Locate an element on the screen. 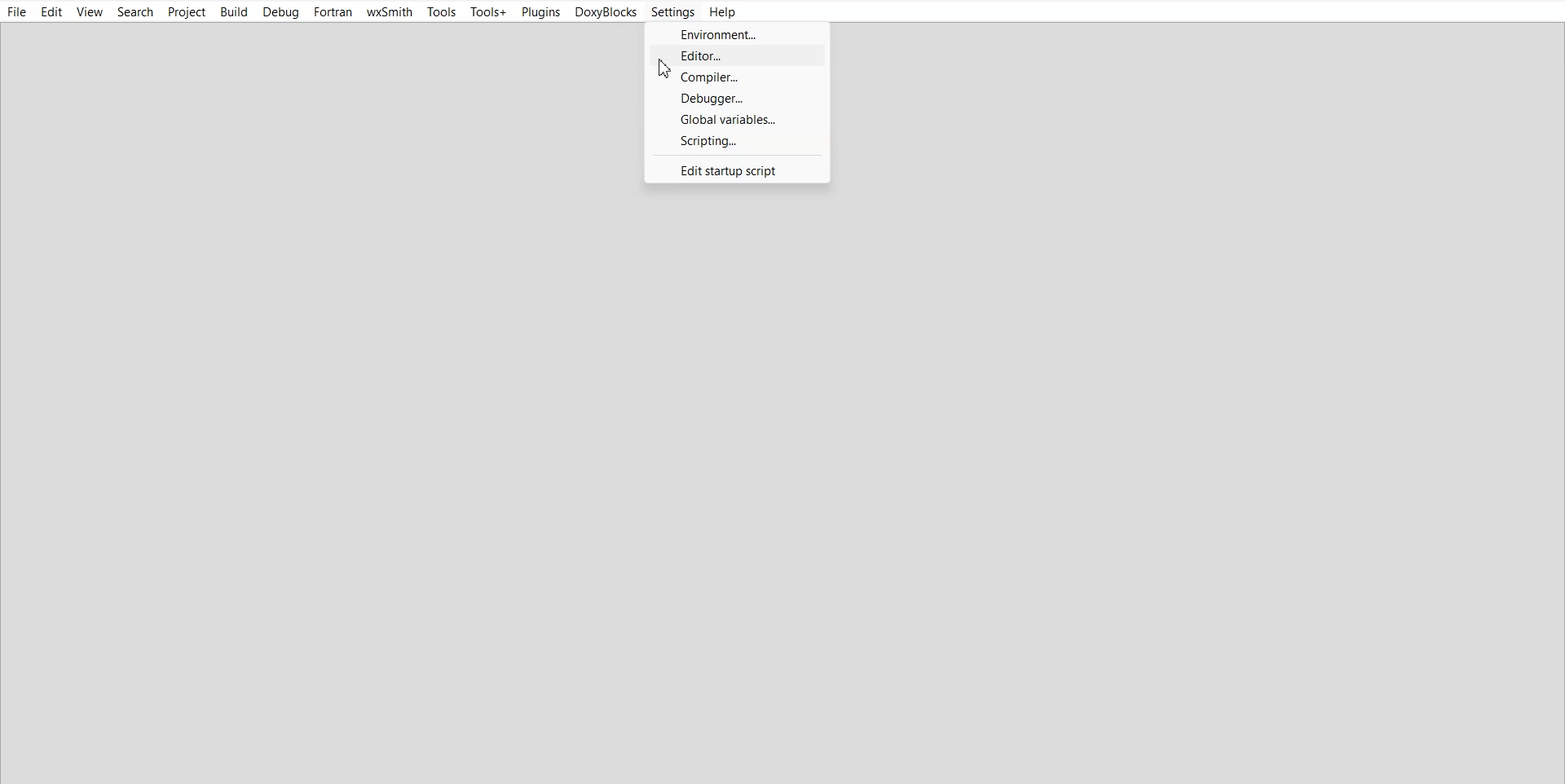  Environment is located at coordinates (737, 33).